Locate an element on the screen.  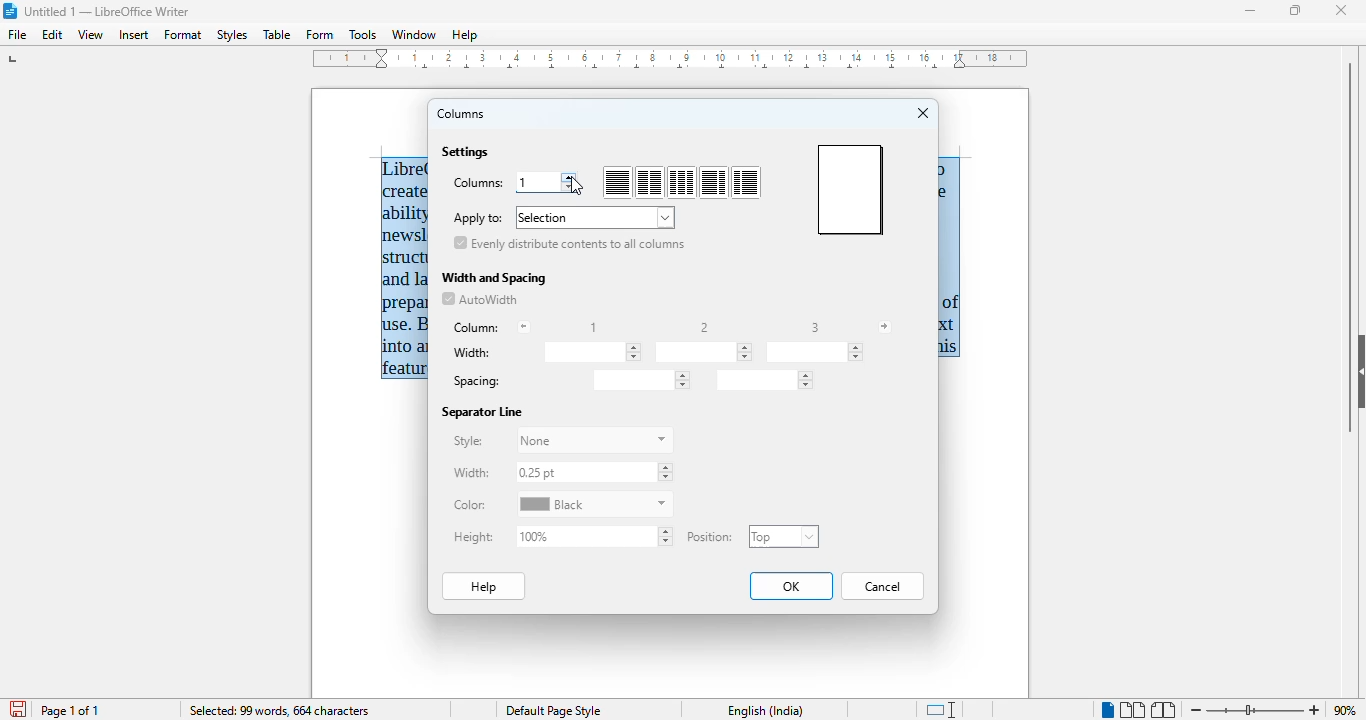
position:  is located at coordinates (711, 536).